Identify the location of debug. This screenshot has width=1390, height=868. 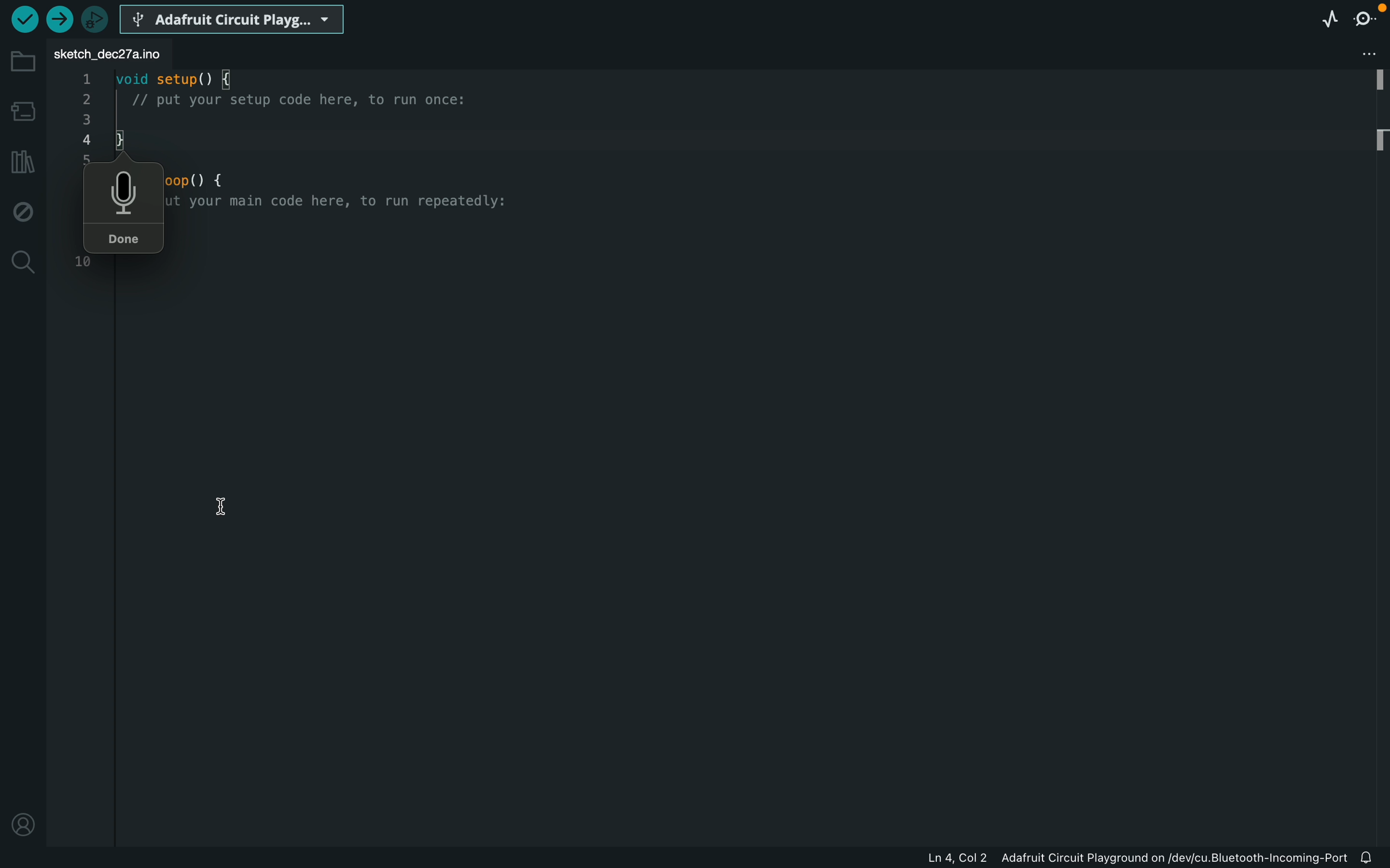
(23, 210).